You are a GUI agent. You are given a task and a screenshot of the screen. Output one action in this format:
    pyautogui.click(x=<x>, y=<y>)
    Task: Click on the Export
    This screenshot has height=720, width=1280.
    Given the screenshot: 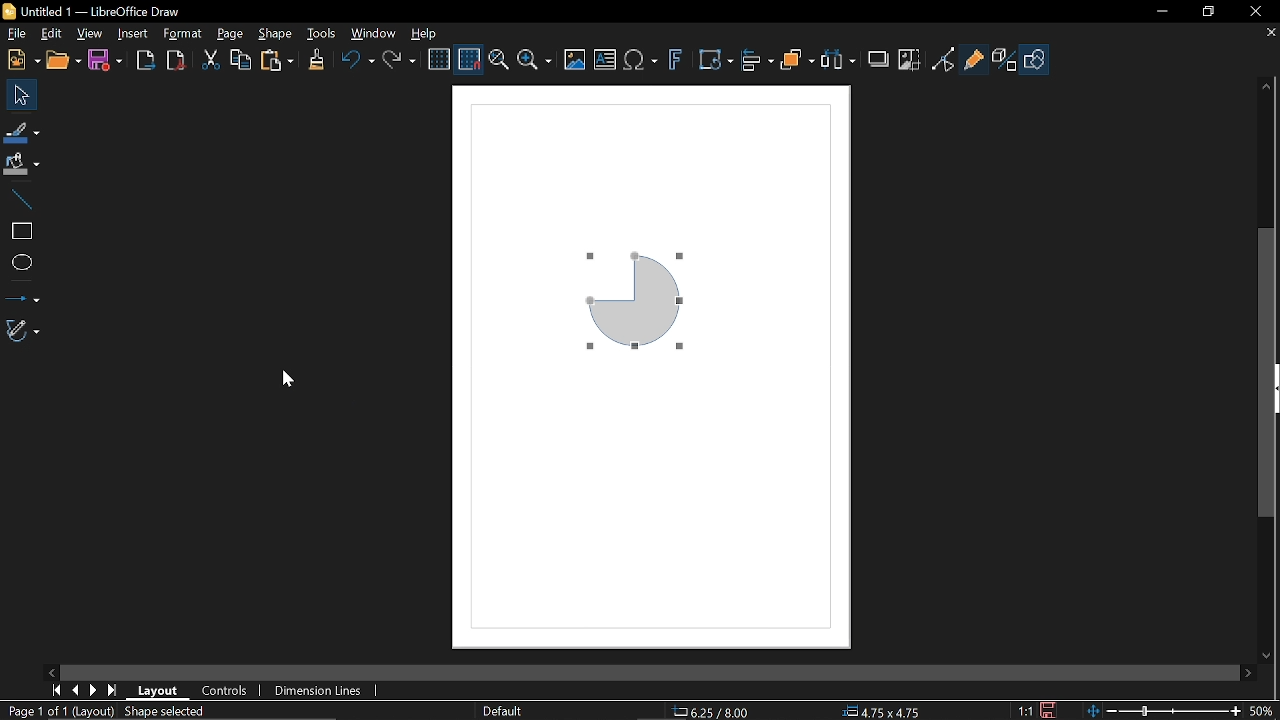 What is the action you would take?
    pyautogui.click(x=146, y=60)
    